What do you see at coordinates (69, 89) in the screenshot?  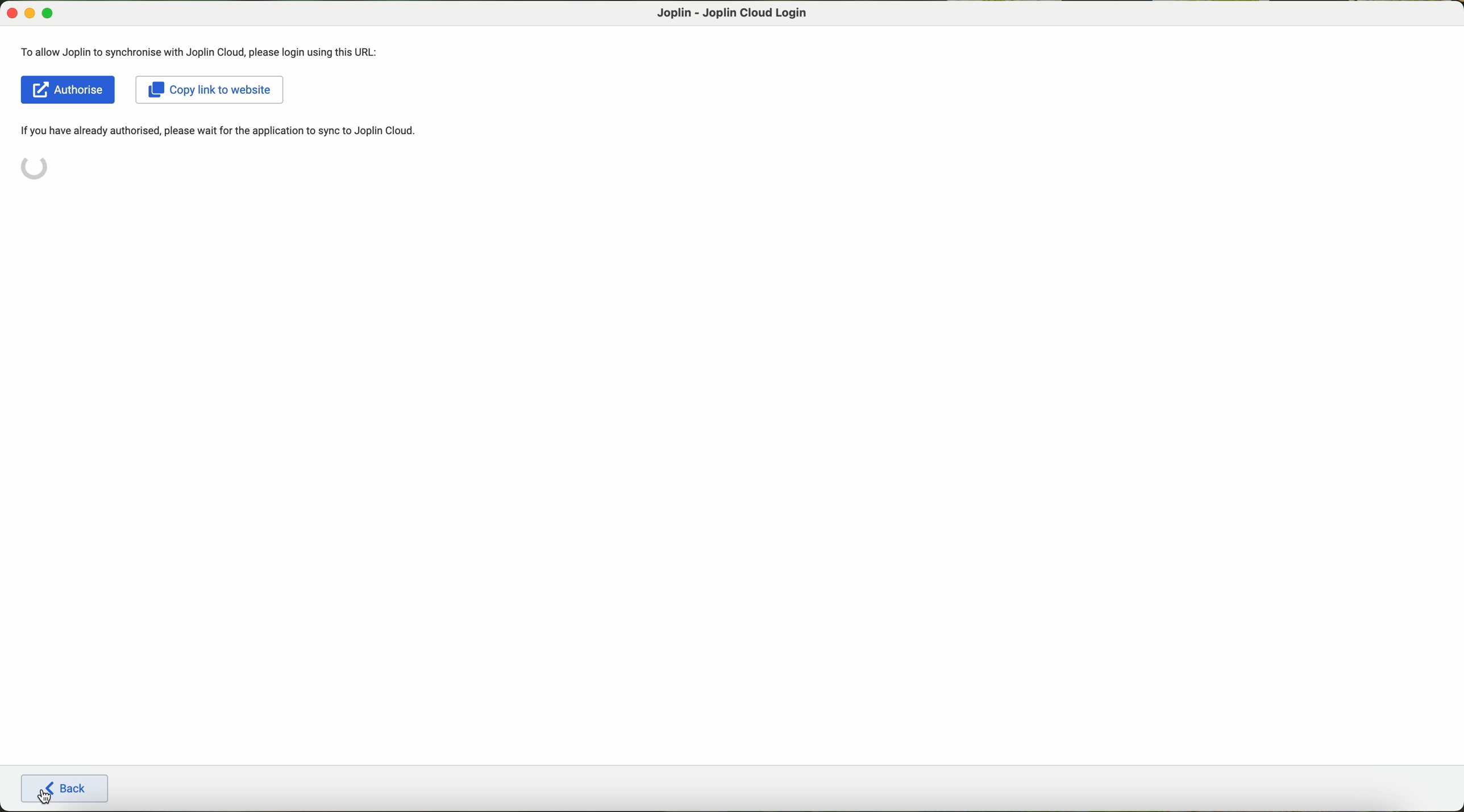 I see `authorise` at bounding box center [69, 89].